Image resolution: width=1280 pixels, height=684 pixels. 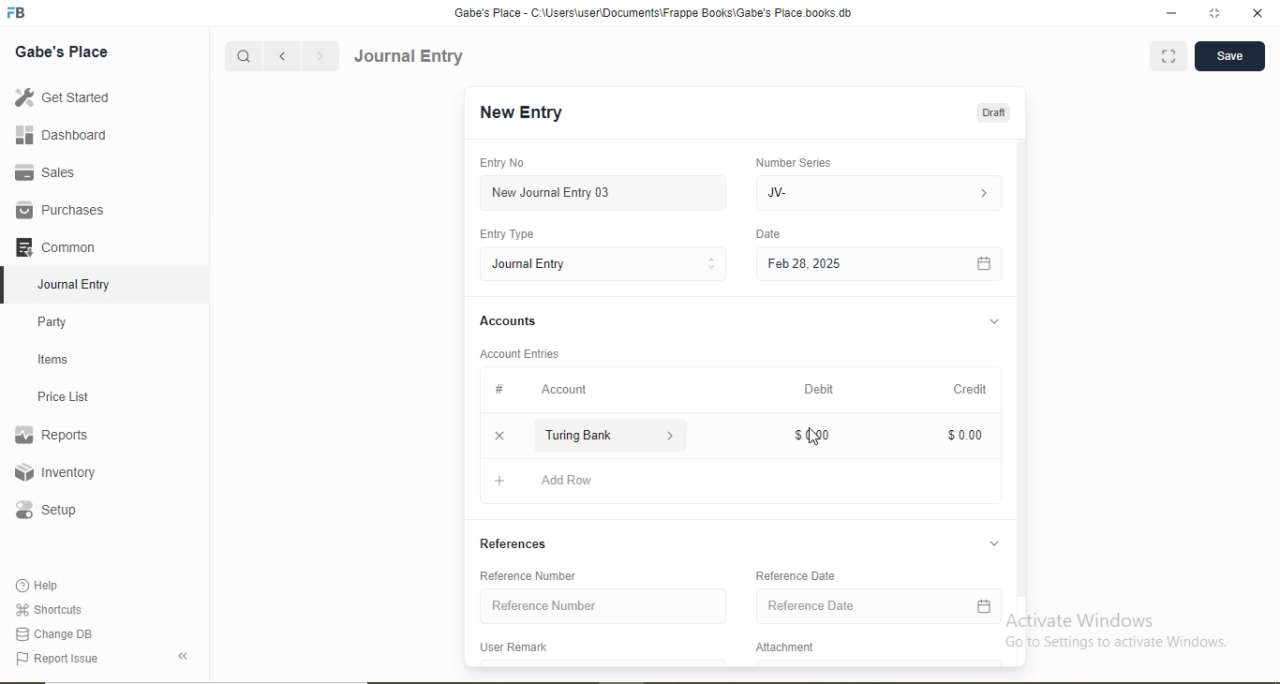 What do you see at coordinates (42, 172) in the screenshot?
I see `Sales` at bounding box center [42, 172].